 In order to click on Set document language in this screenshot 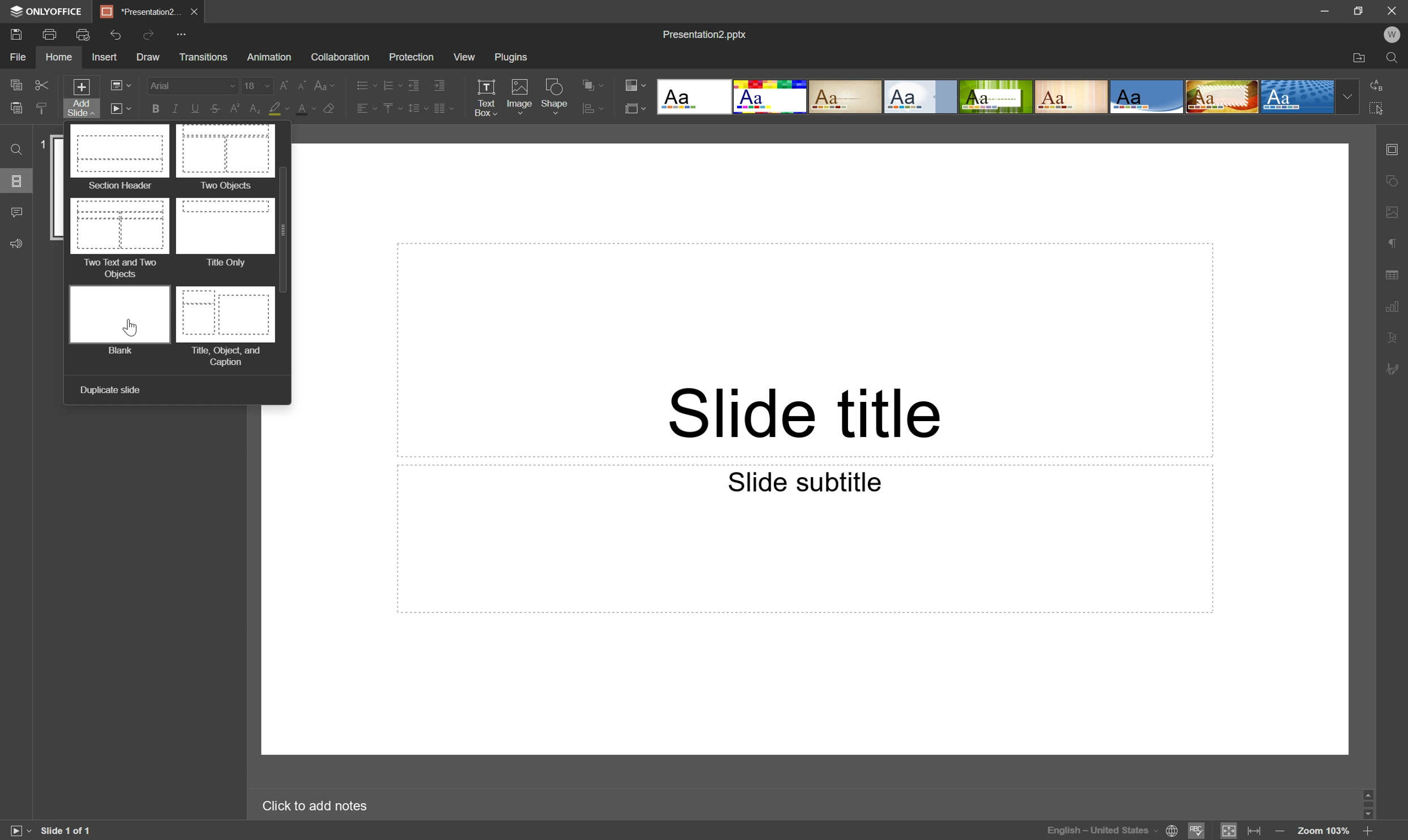, I will do `click(1173, 833)`.